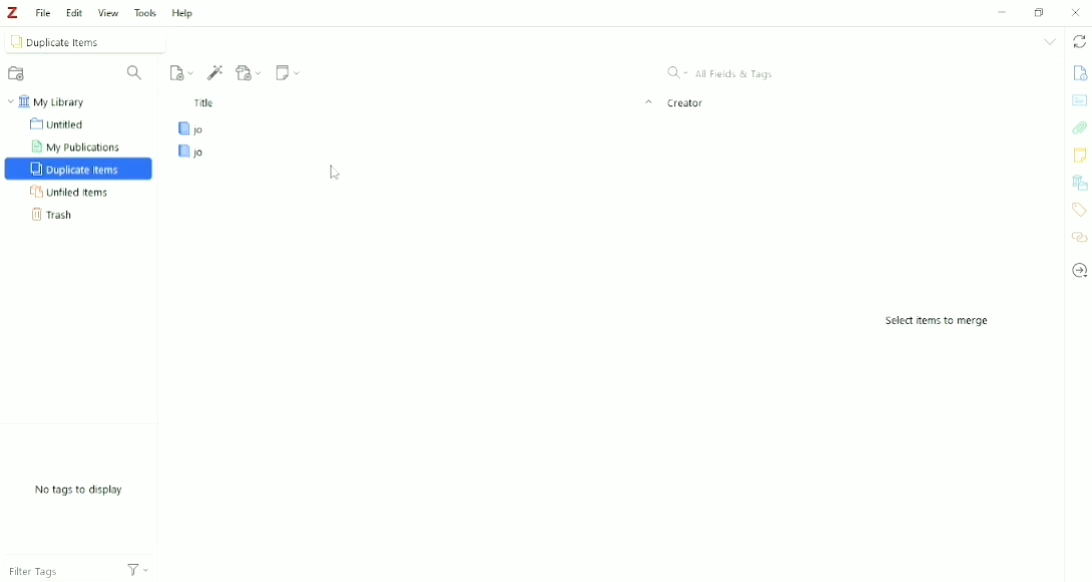 Image resolution: width=1092 pixels, height=582 pixels. What do you see at coordinates (81, 146) in the screenshot?
I see `My Publications` at bounding box center [81, 146].